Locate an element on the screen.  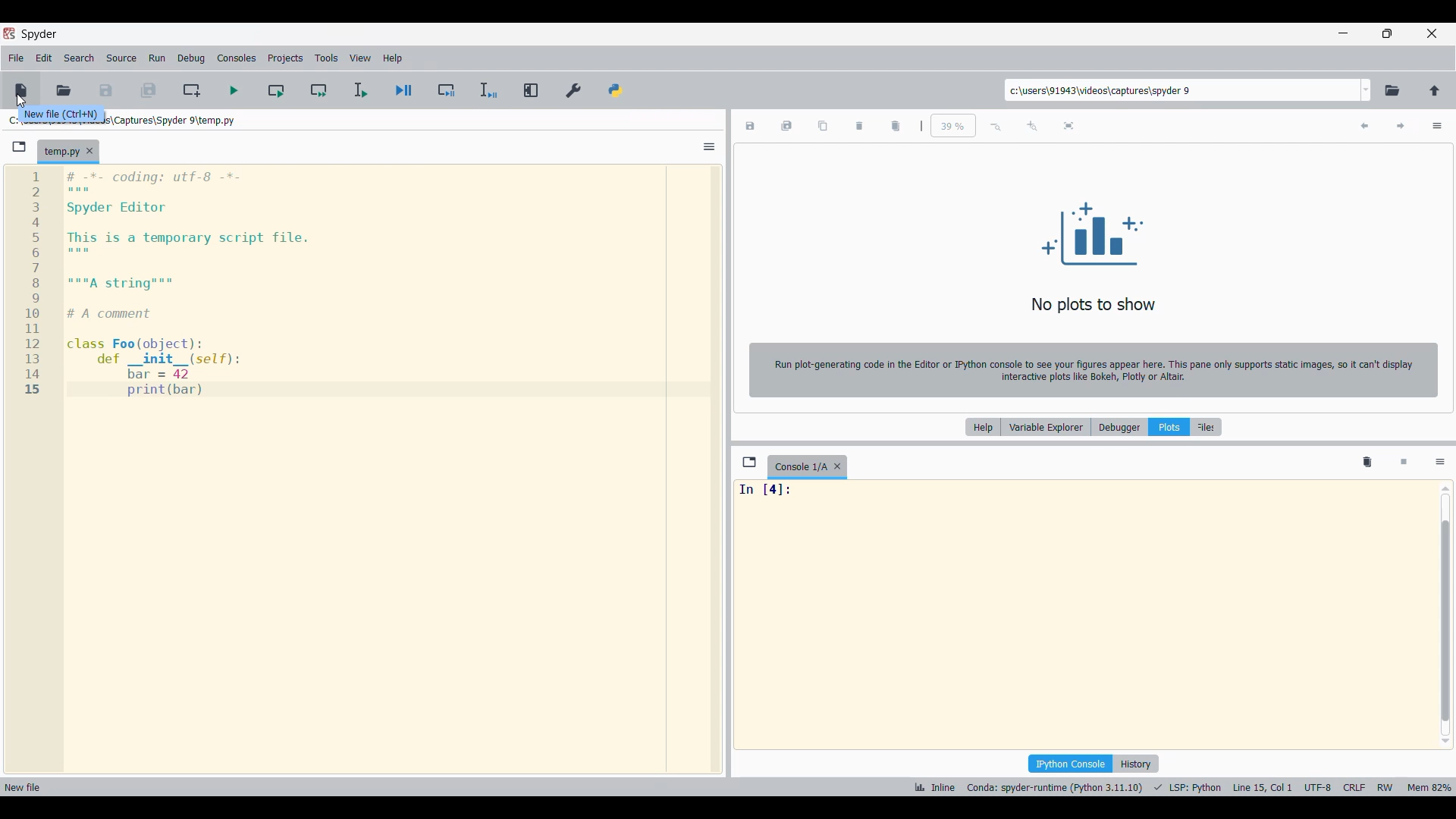
cursor is located at coordinates (24, 101).